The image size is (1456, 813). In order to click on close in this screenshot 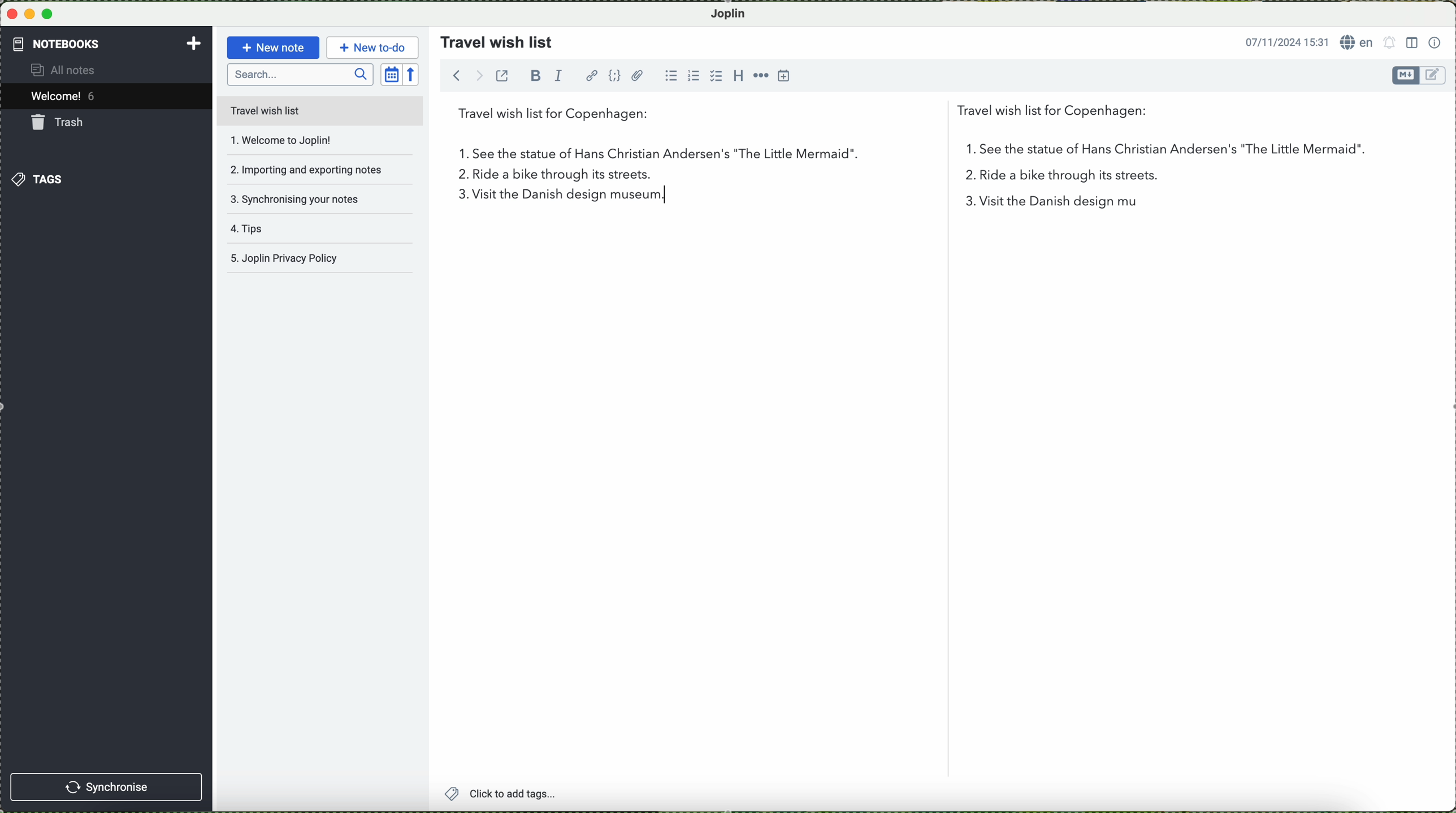, I will do `click(11, 15)`.